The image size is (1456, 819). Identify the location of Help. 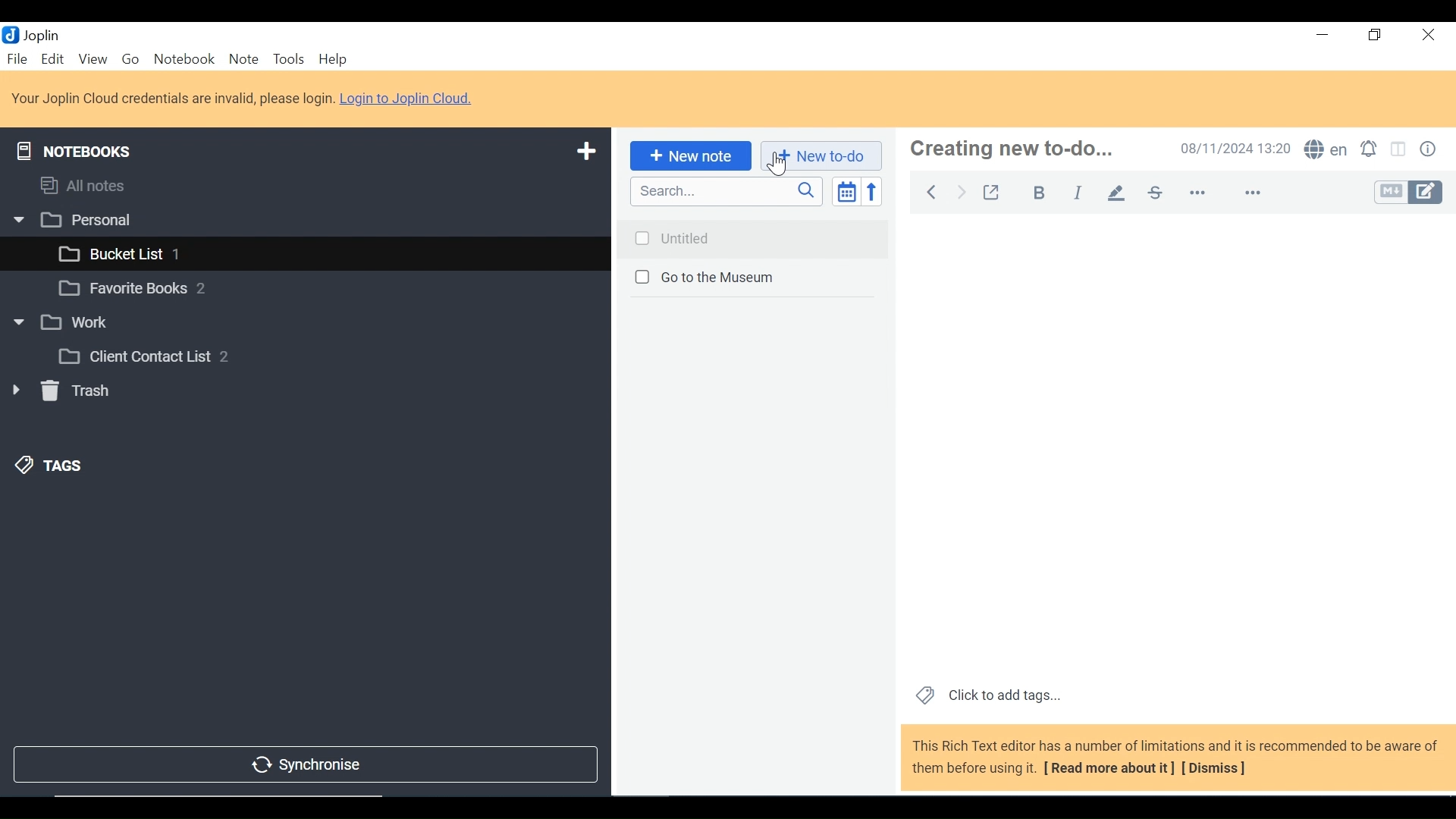
(333, 60).